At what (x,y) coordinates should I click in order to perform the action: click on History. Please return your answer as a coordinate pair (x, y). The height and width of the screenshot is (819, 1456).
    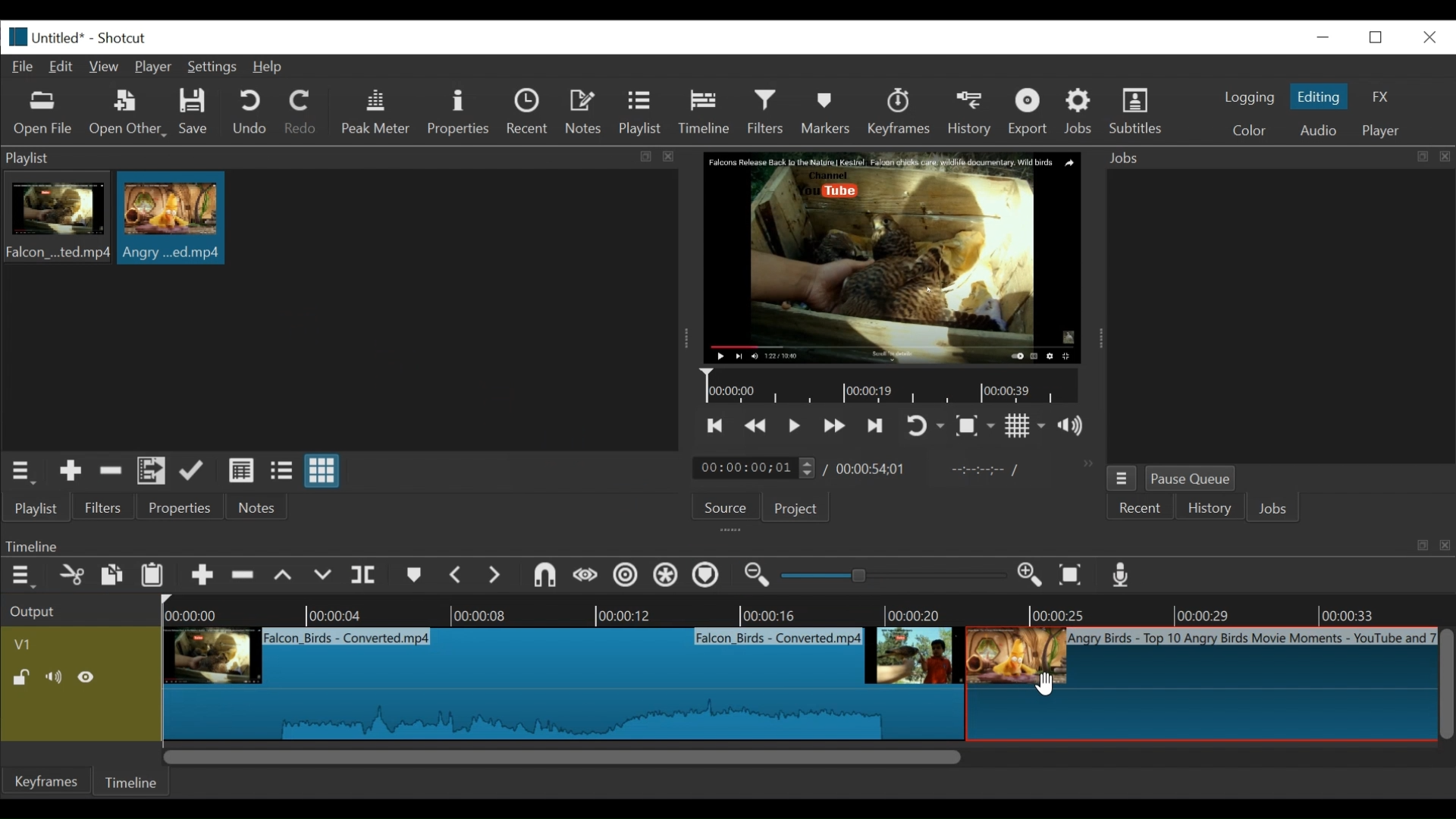
    Looking at the image, I should click on (972, 111).